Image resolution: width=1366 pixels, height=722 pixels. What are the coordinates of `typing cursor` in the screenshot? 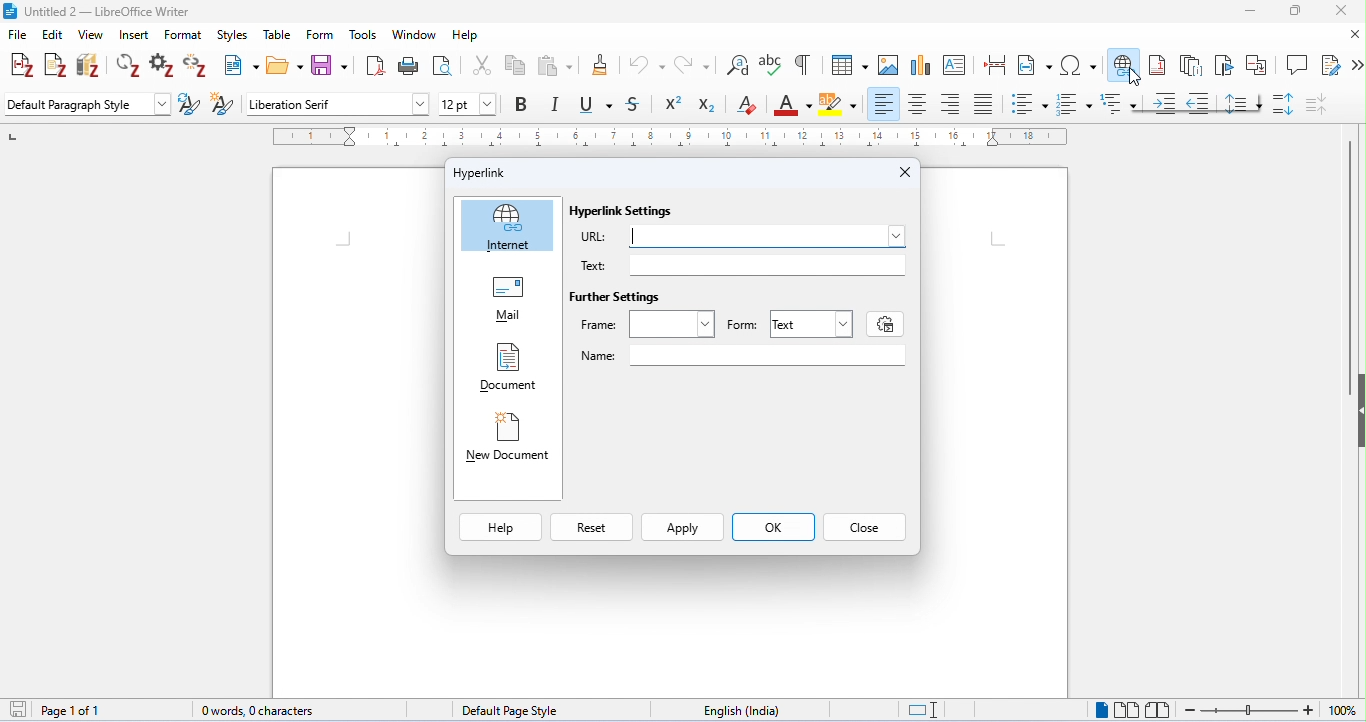 It's located at (350, 247).